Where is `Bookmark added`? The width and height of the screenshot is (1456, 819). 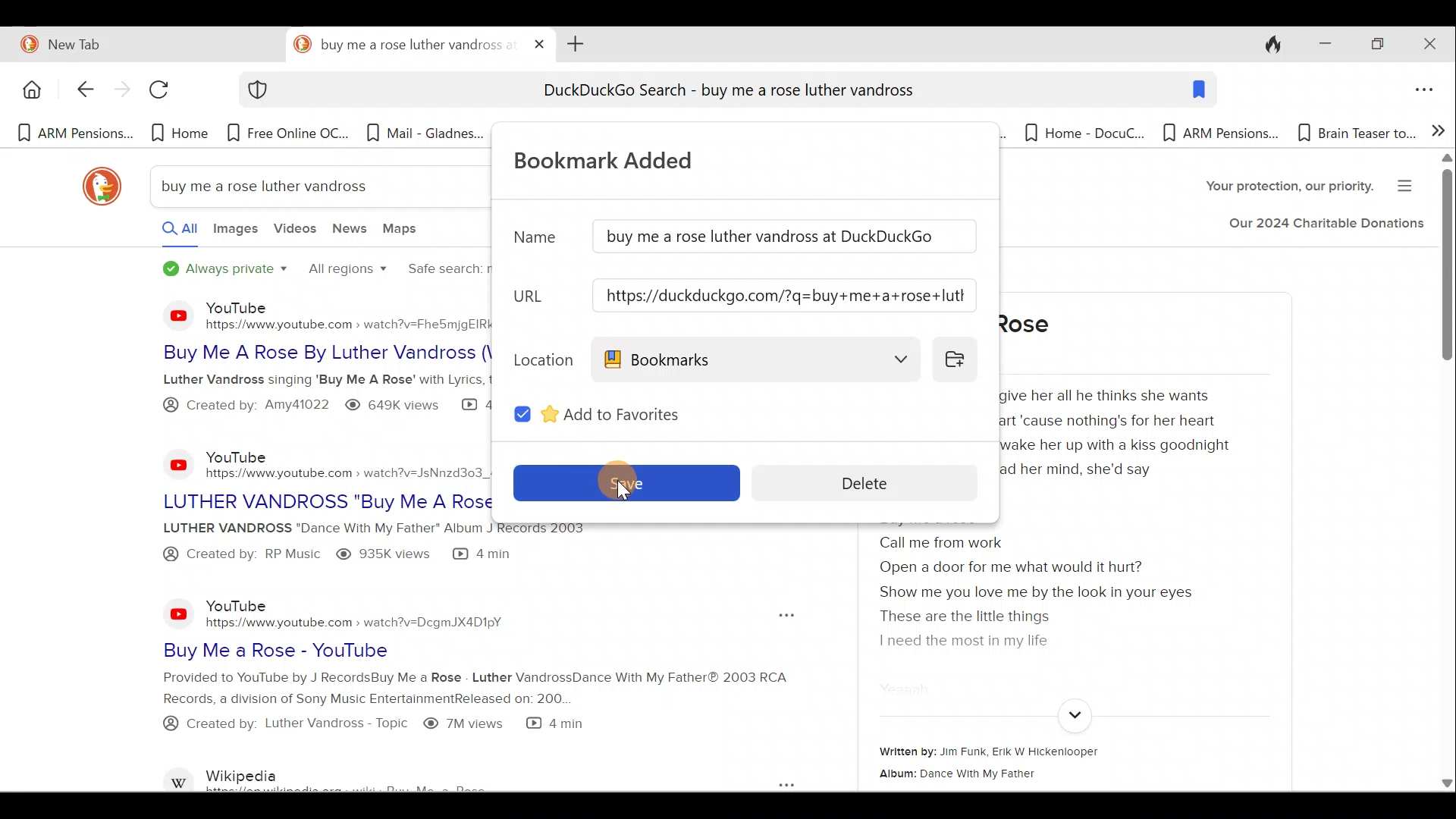
Bookmark added is located at coordinates (620, 158).